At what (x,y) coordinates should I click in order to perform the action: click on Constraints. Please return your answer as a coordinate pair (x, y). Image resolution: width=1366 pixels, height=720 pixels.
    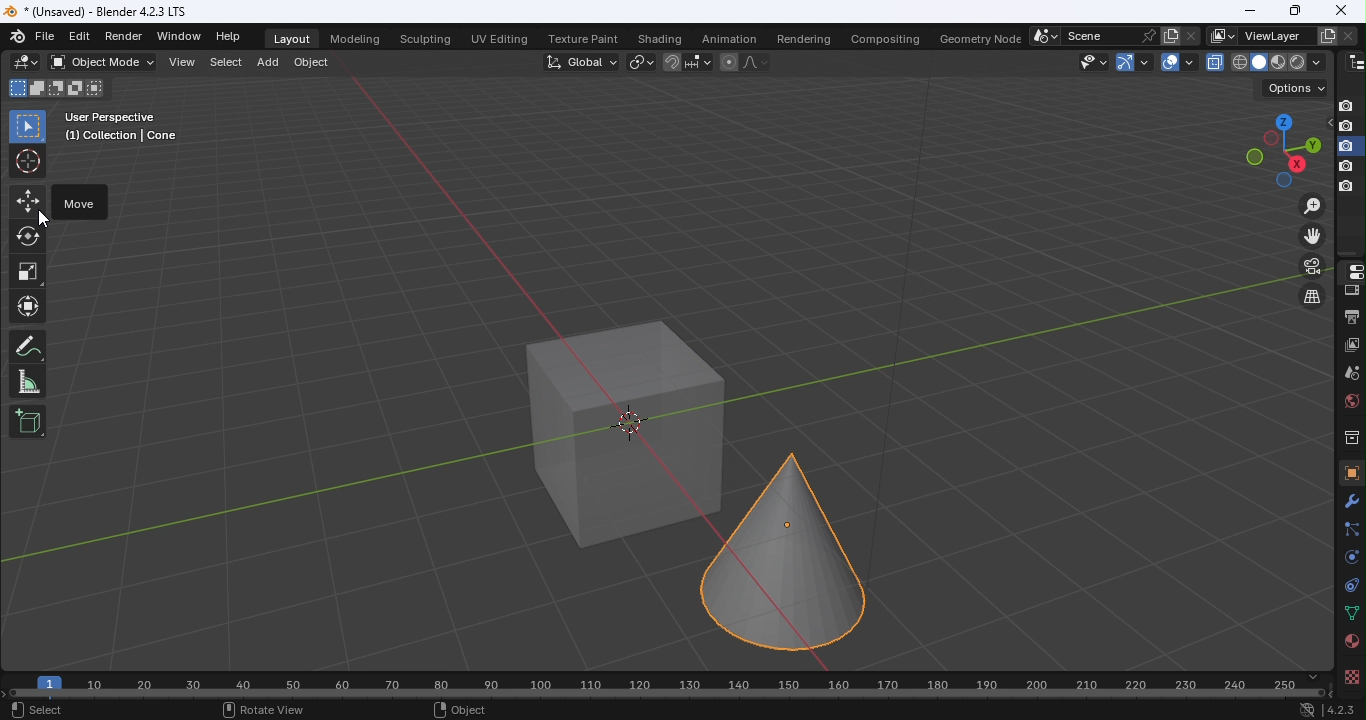
    Looking at the image, I should click on (1348, 584).